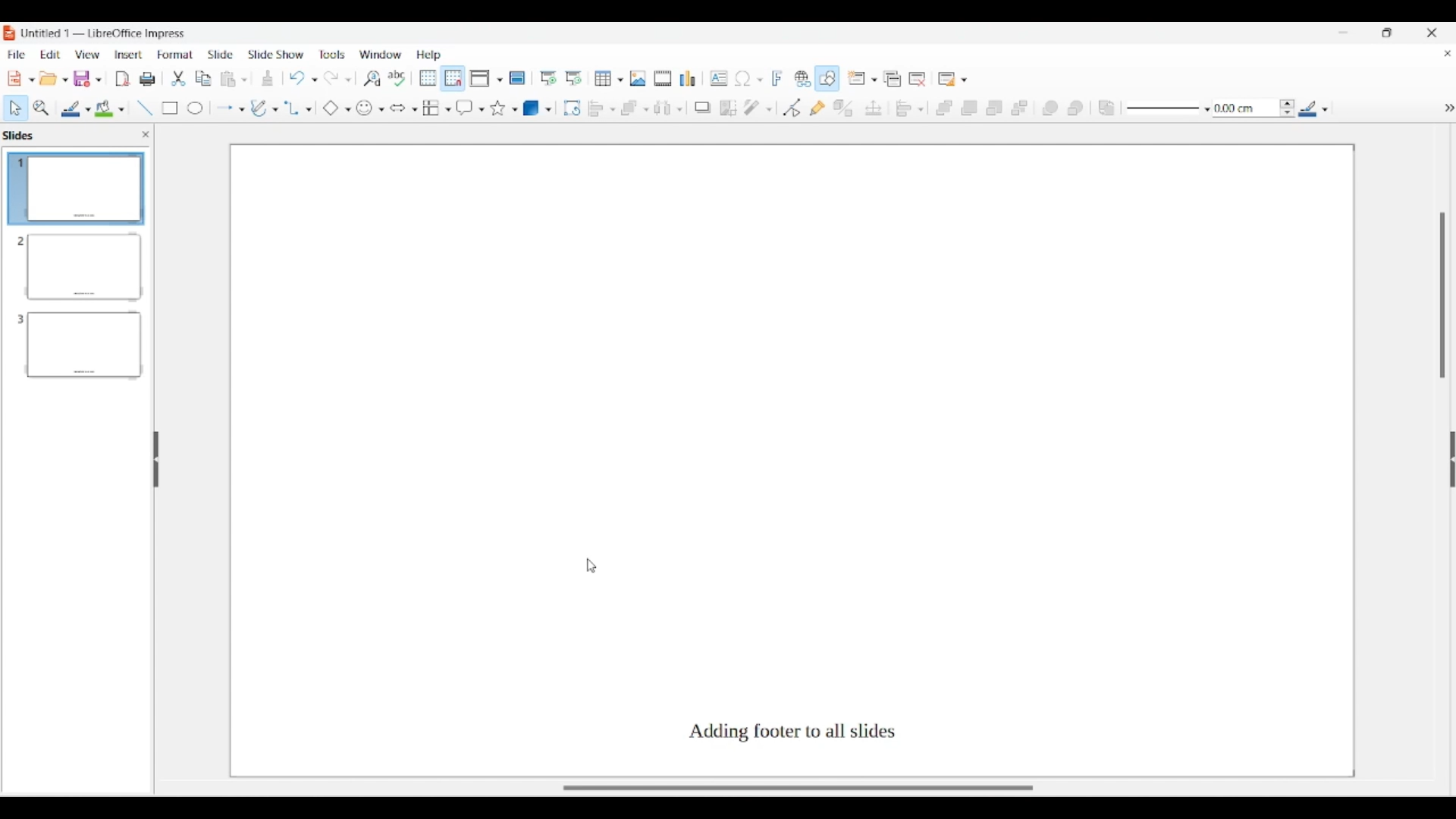 This screenshot has height=819, width=1456. What do you see at coordinates (146, 136) in the screenshot?
I see `close` at bounding box center [146, 136].